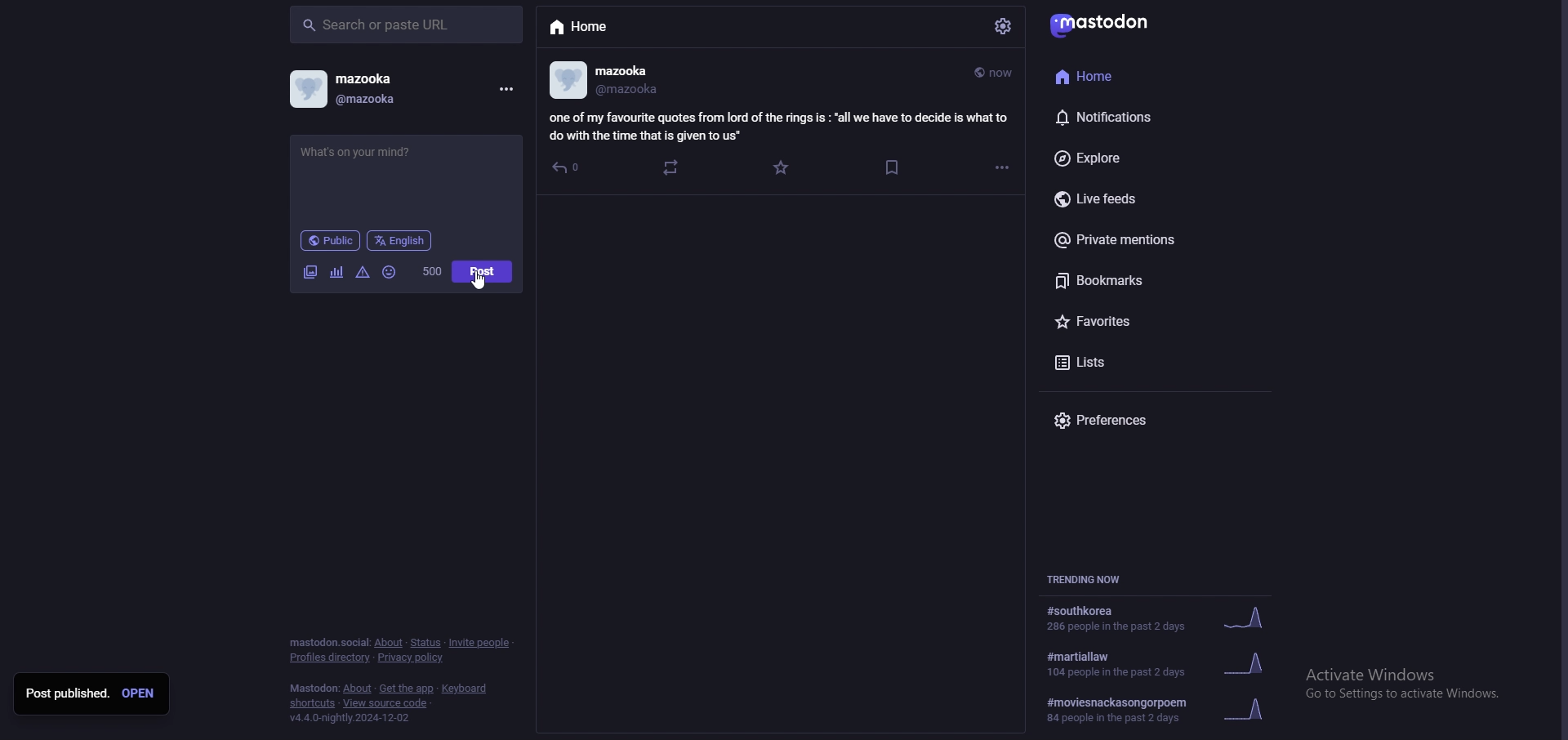  What do you see at coordinates (328, 644) in the screenshot?
I see `mastodon social` at bounding box center [328, 644].